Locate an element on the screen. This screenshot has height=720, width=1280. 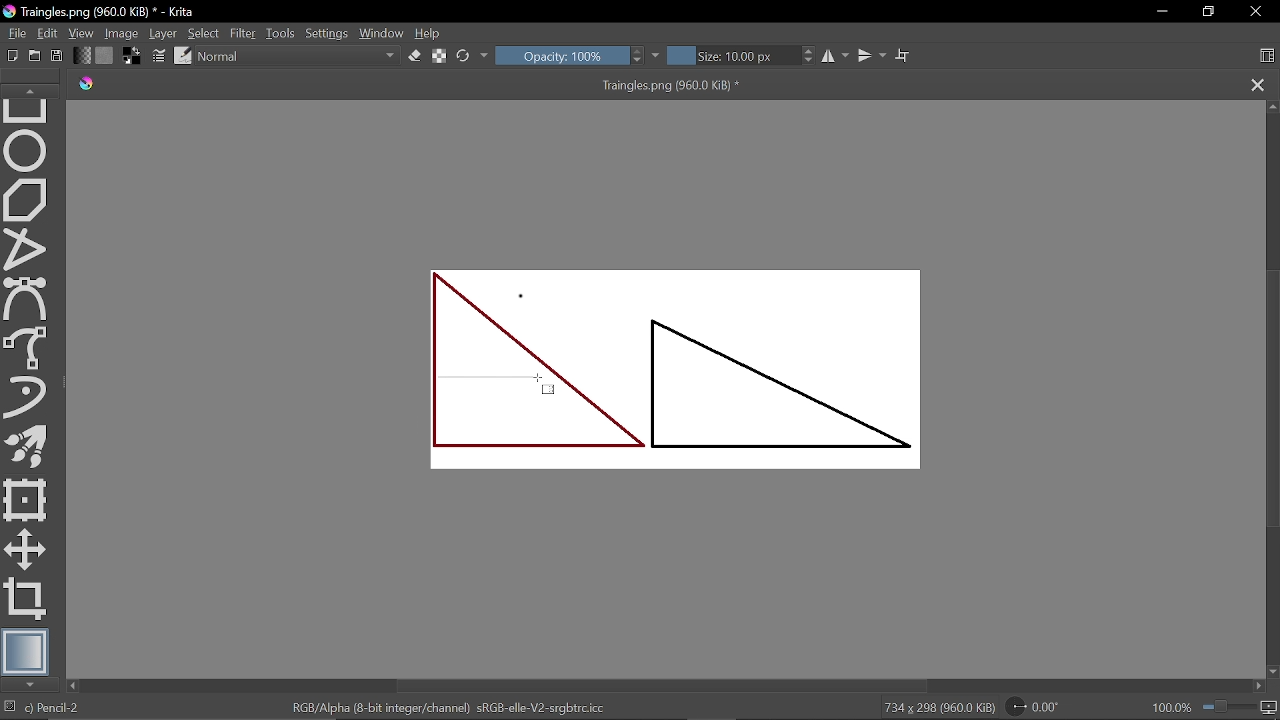
100.0% is located at coordinates (1215, 707).